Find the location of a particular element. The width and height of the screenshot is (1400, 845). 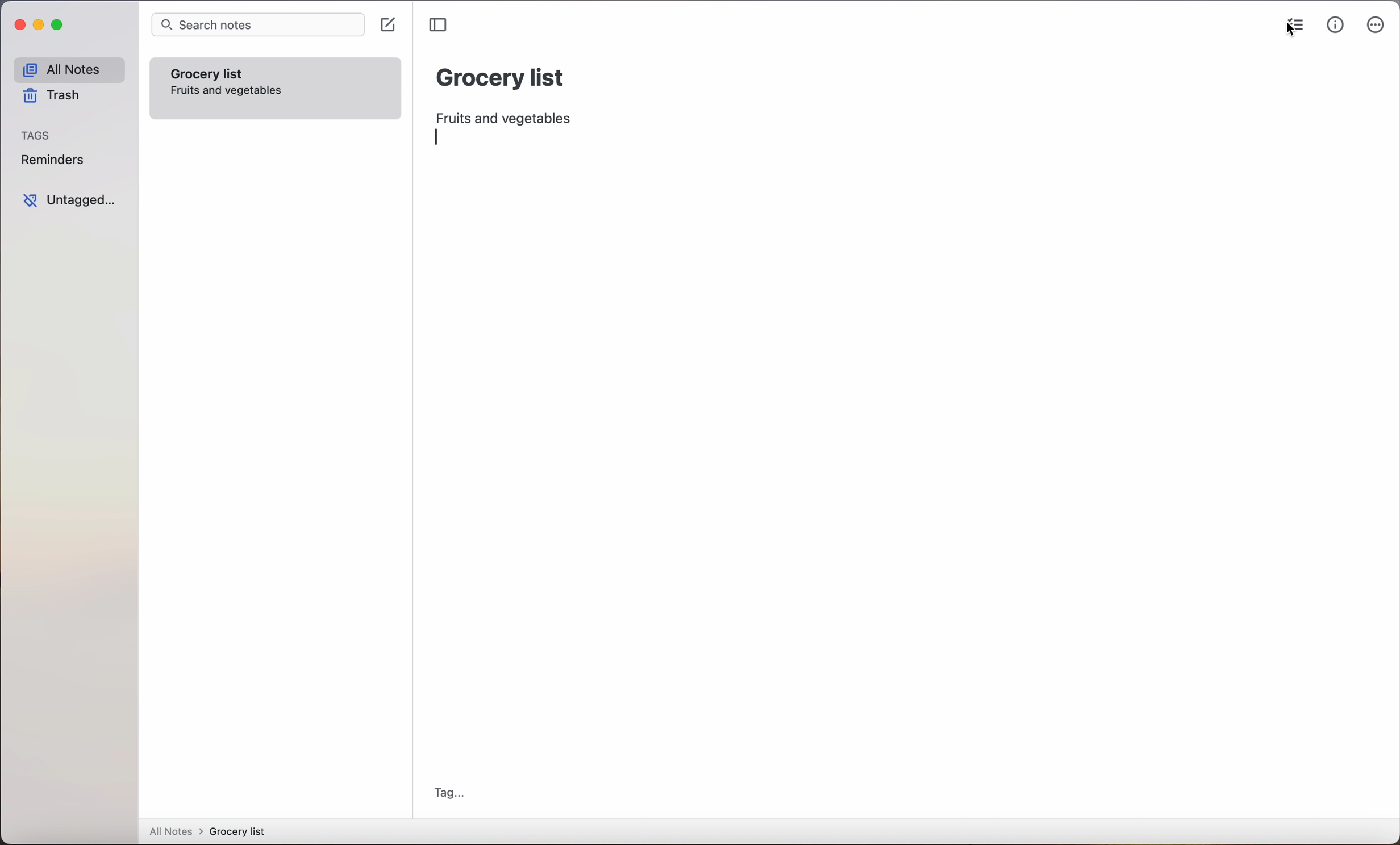

untagged is located at coordinates (69, 200).